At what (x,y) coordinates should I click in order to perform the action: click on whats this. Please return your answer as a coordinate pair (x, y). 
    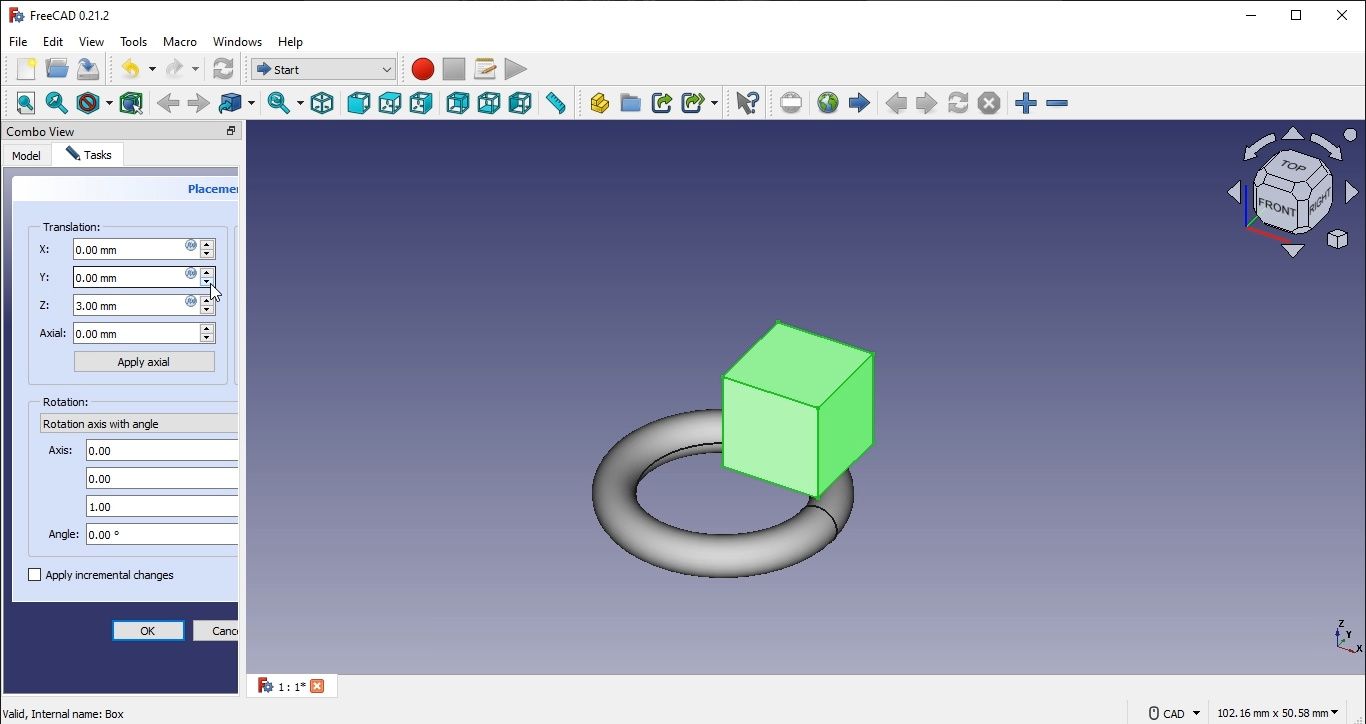
    Looking at the image, I should click on (747, 101).